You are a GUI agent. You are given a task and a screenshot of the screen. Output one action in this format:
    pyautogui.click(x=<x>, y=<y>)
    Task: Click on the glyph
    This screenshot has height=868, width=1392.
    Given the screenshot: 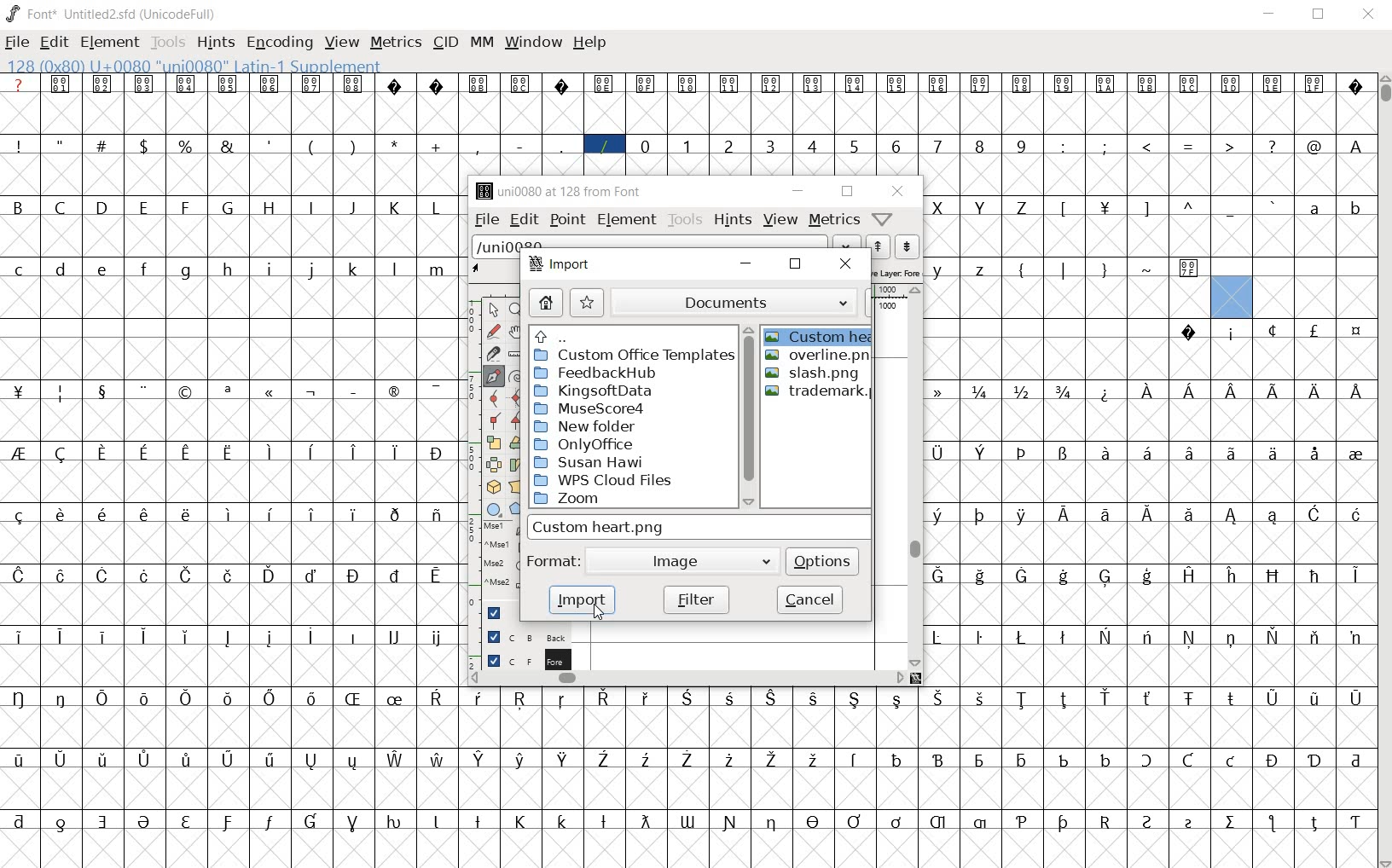 What is the action you would take?
    pyautogui.click(x=270, y=145)
    